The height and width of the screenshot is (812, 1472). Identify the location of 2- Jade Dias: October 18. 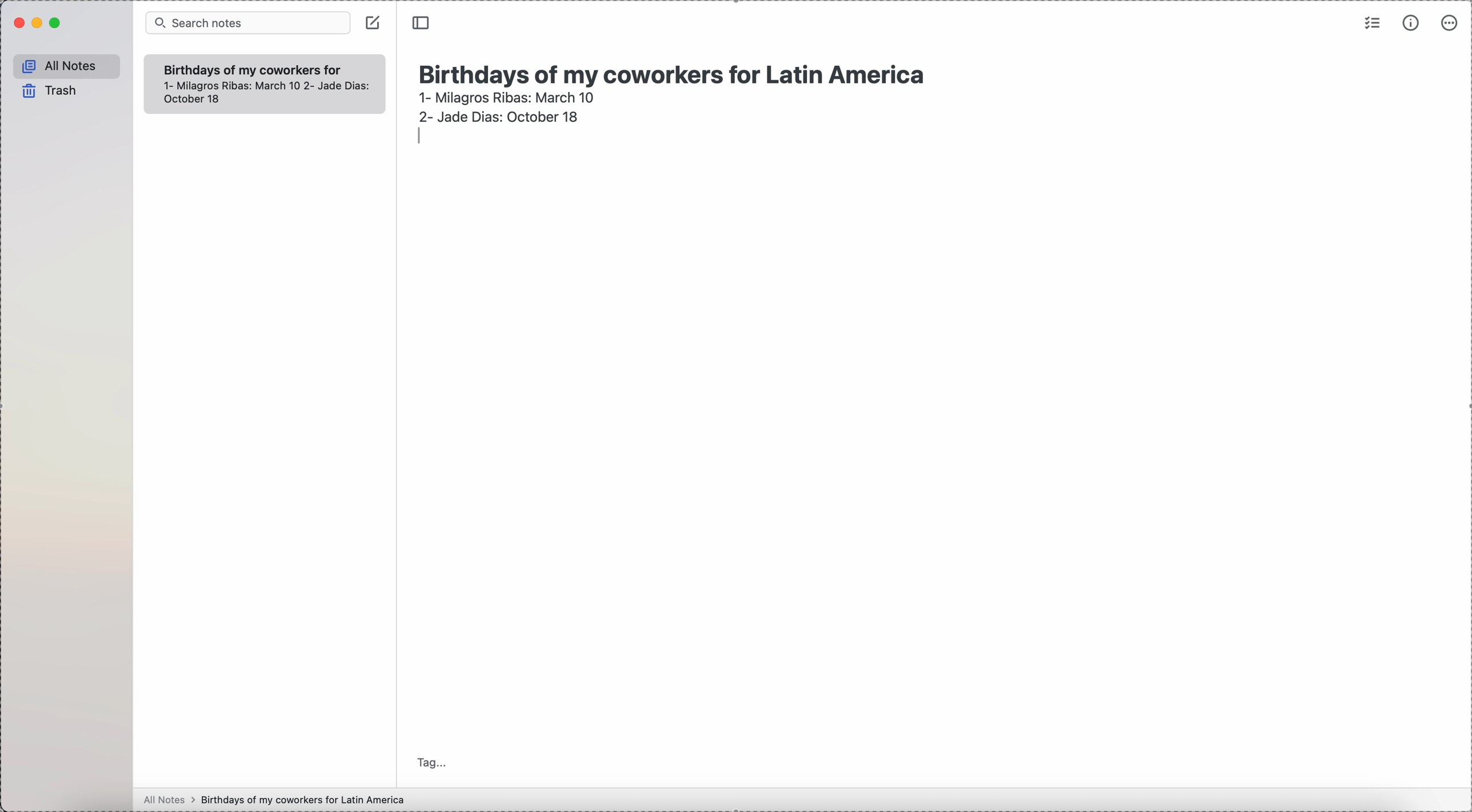
(497, 115).